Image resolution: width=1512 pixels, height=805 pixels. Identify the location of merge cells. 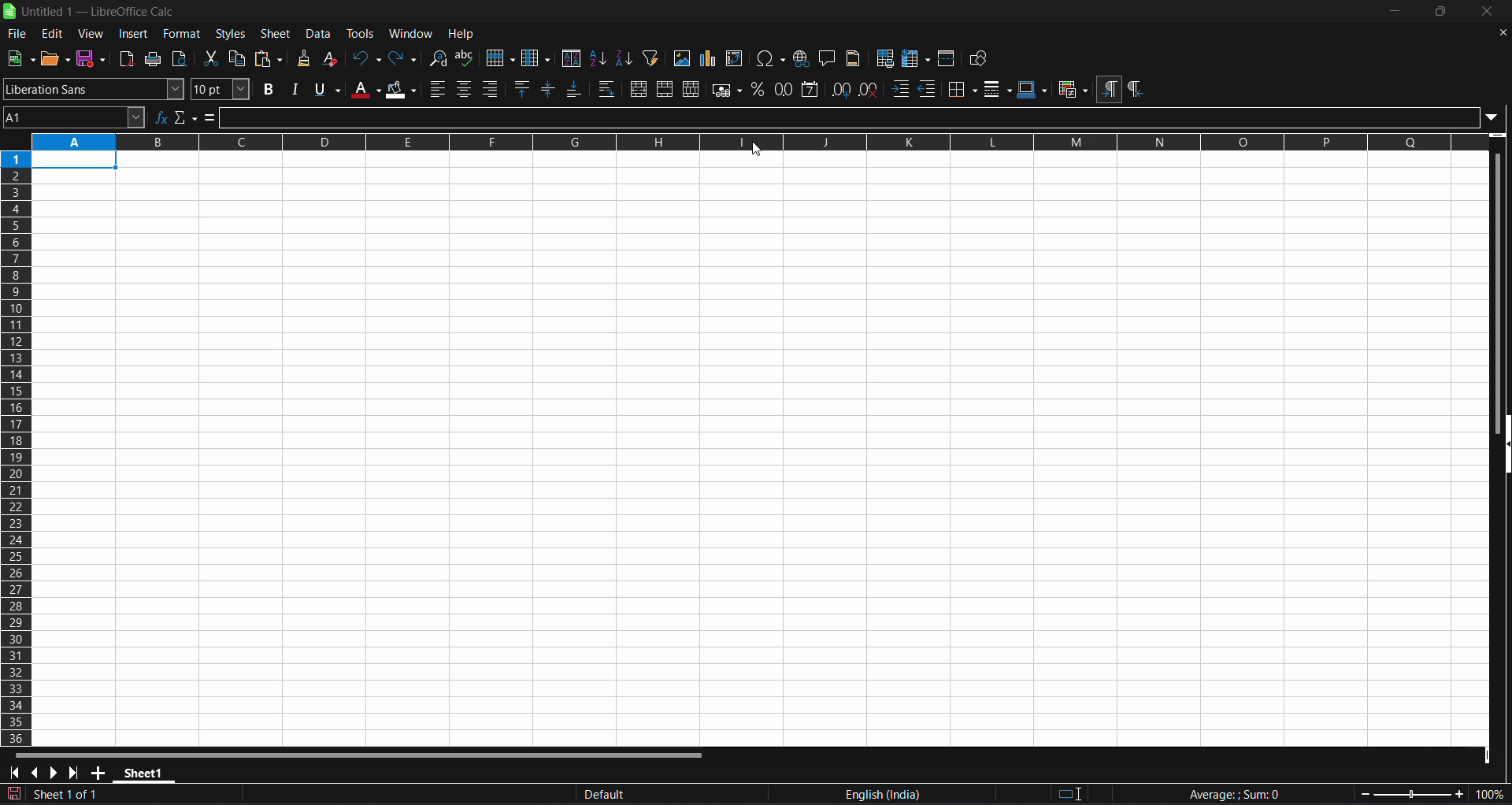
(665, 88).